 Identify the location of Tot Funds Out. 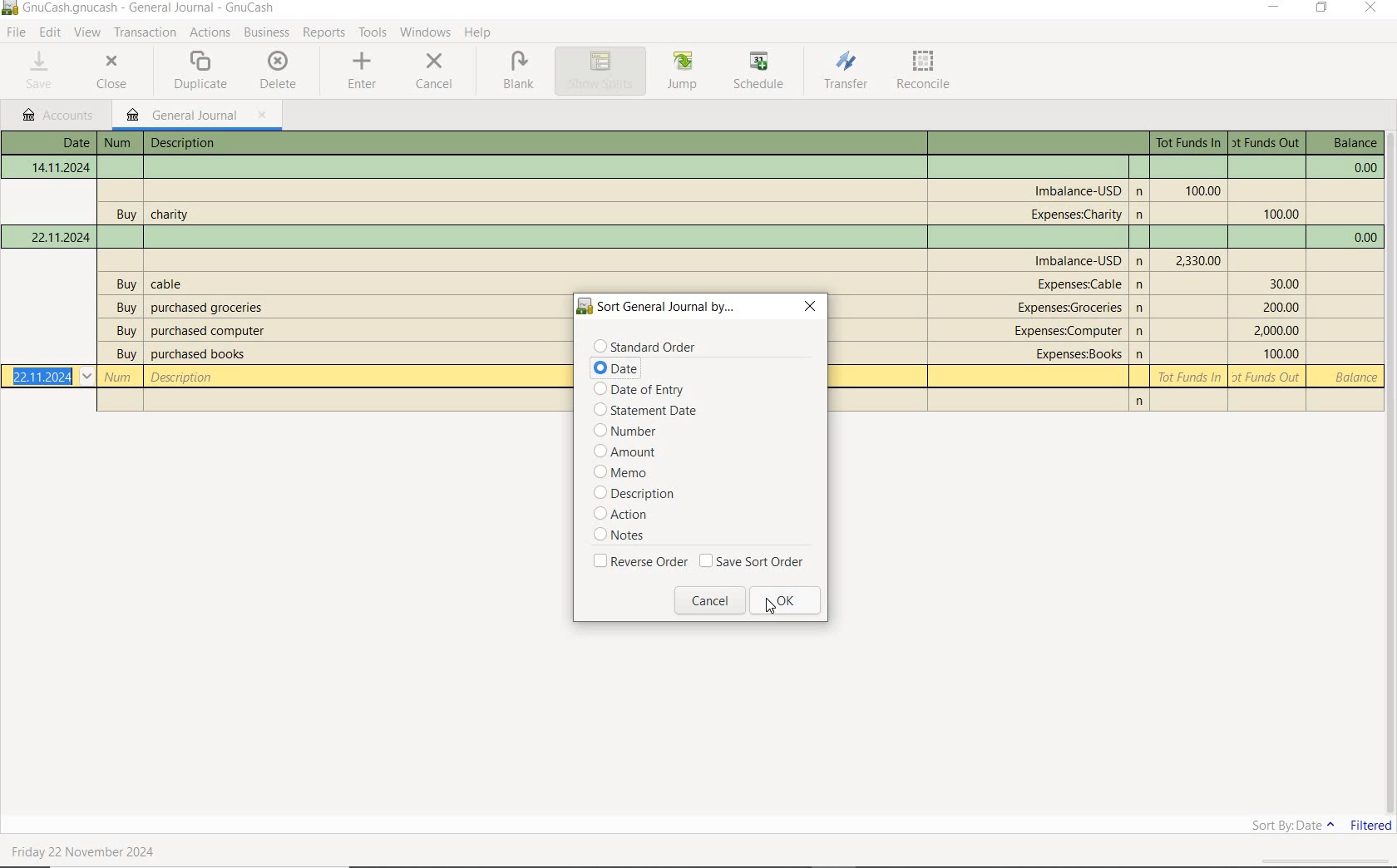
(1279, 354).